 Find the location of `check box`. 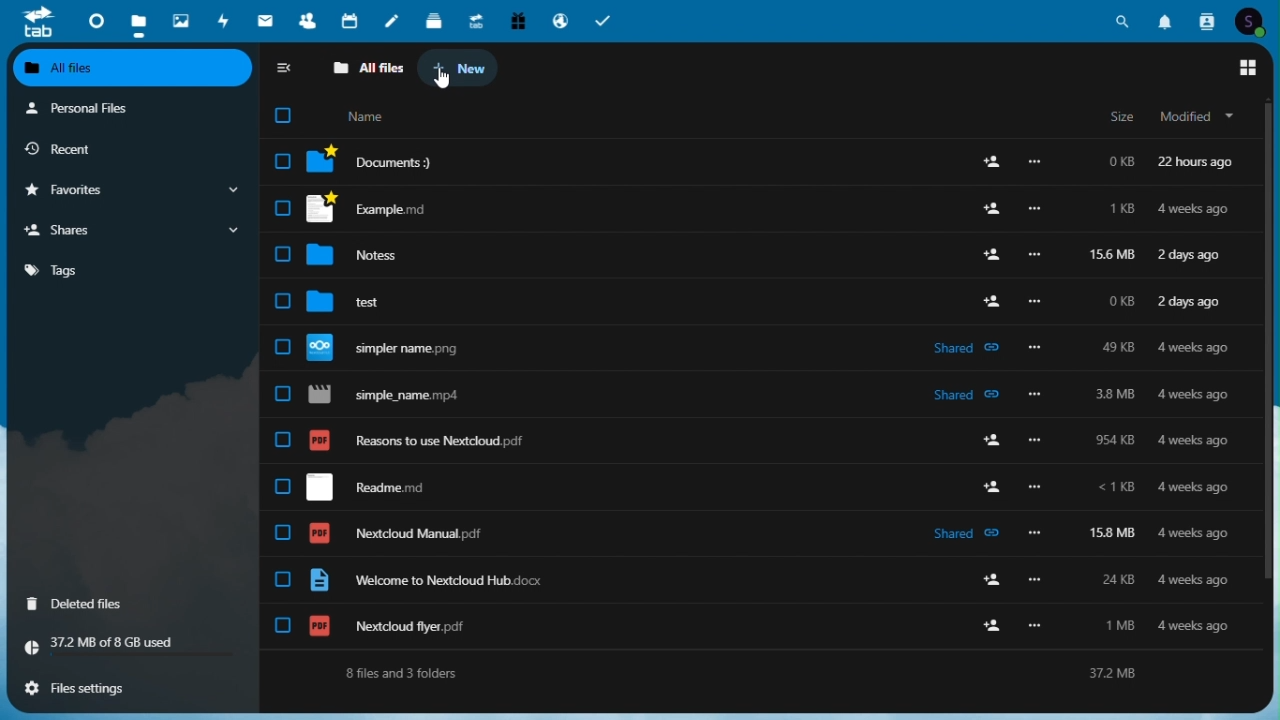

check box is located at coordinates (283, 114).